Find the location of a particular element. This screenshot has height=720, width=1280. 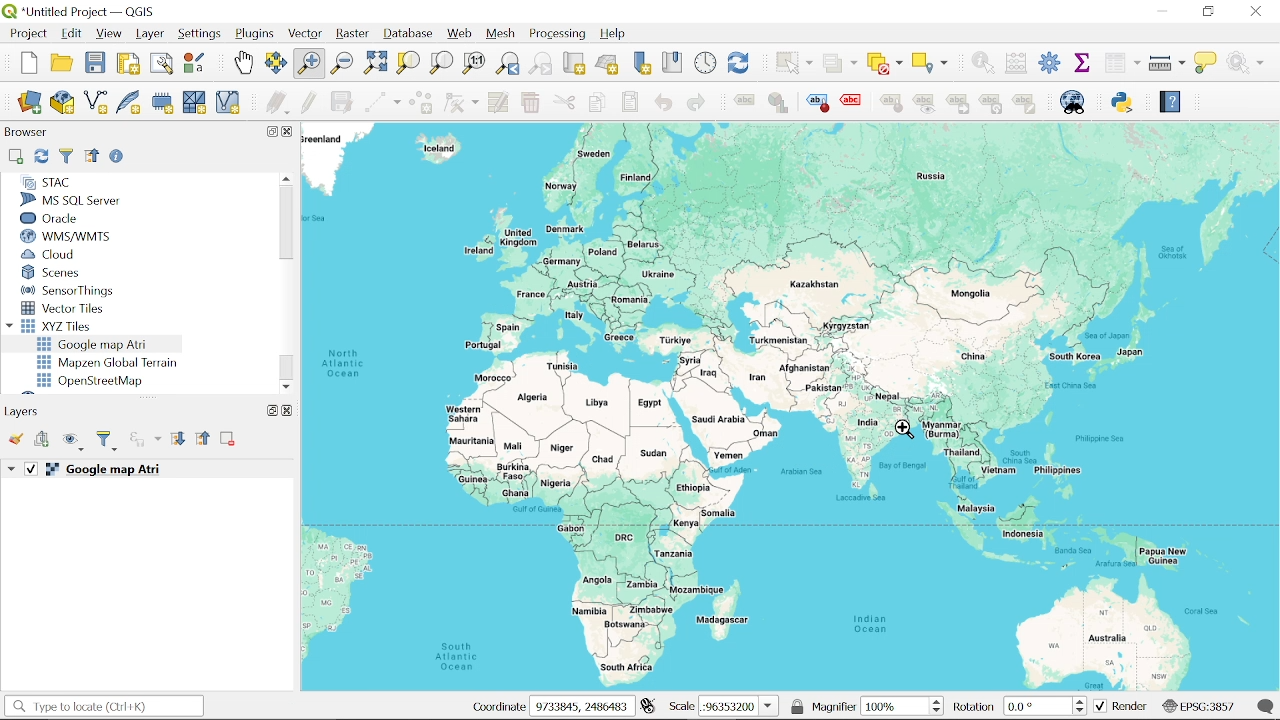

lock is located at coordinates (798, 706).